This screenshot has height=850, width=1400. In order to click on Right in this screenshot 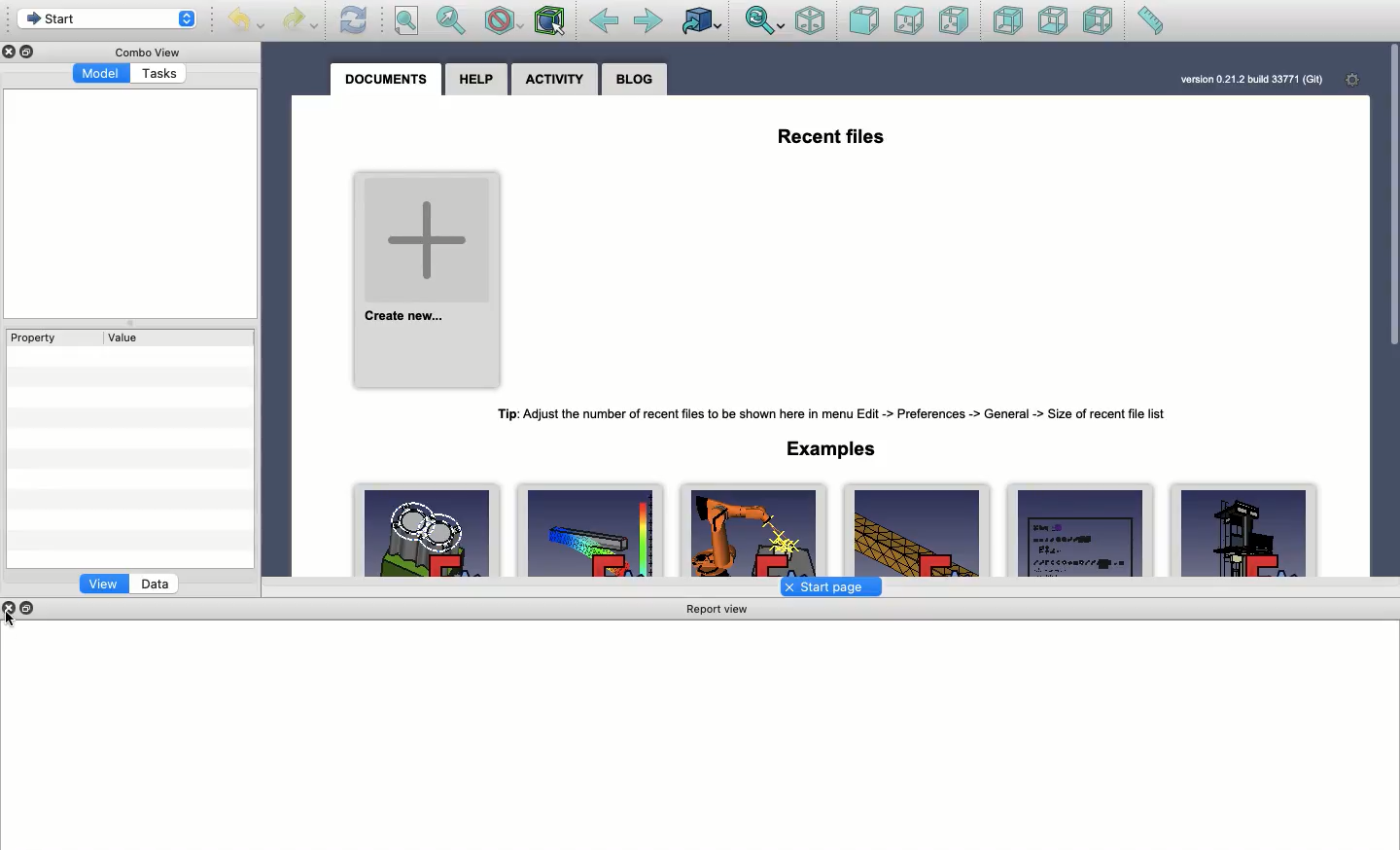, I will do `click(956, 19)`.